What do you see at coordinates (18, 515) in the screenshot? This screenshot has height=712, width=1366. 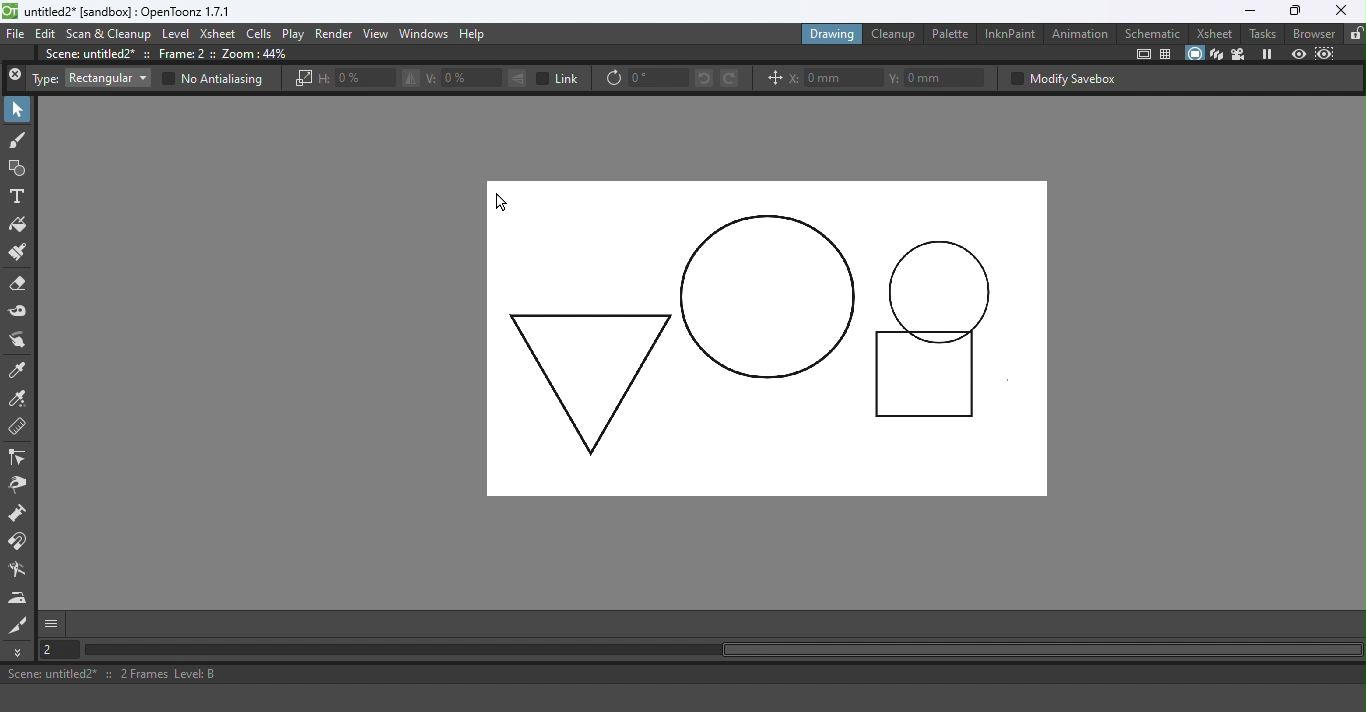 I see `Pump tool` at bounding box center [18, 515].